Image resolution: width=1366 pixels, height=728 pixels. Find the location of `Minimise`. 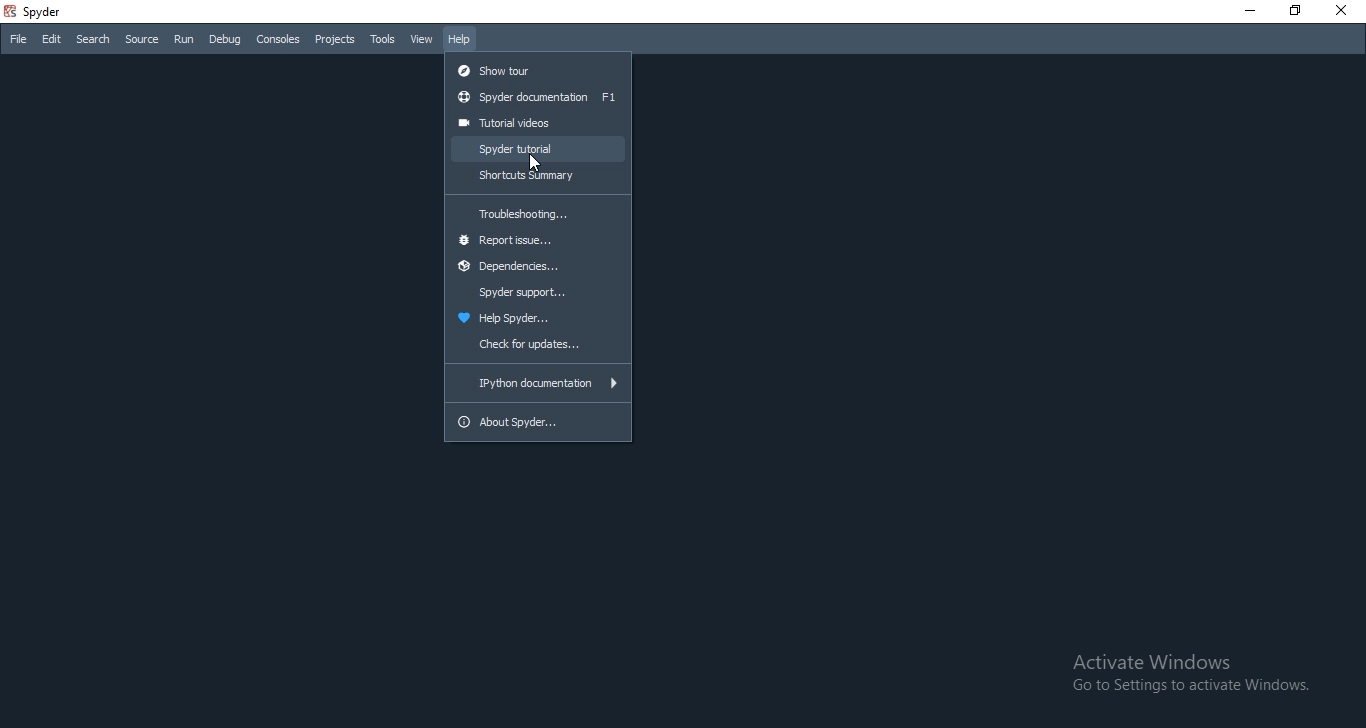

Minimise is located at coordinates (1250, 11).